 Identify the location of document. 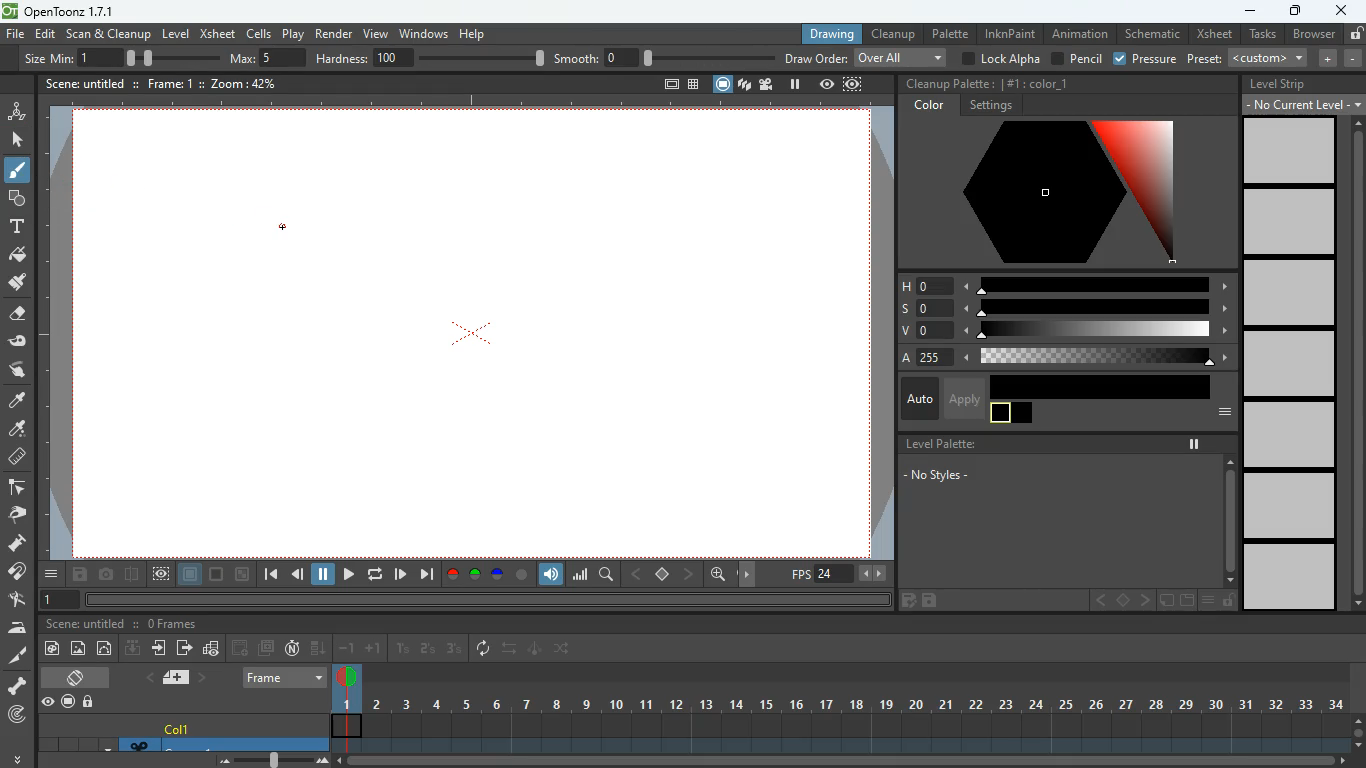
(668, 86).